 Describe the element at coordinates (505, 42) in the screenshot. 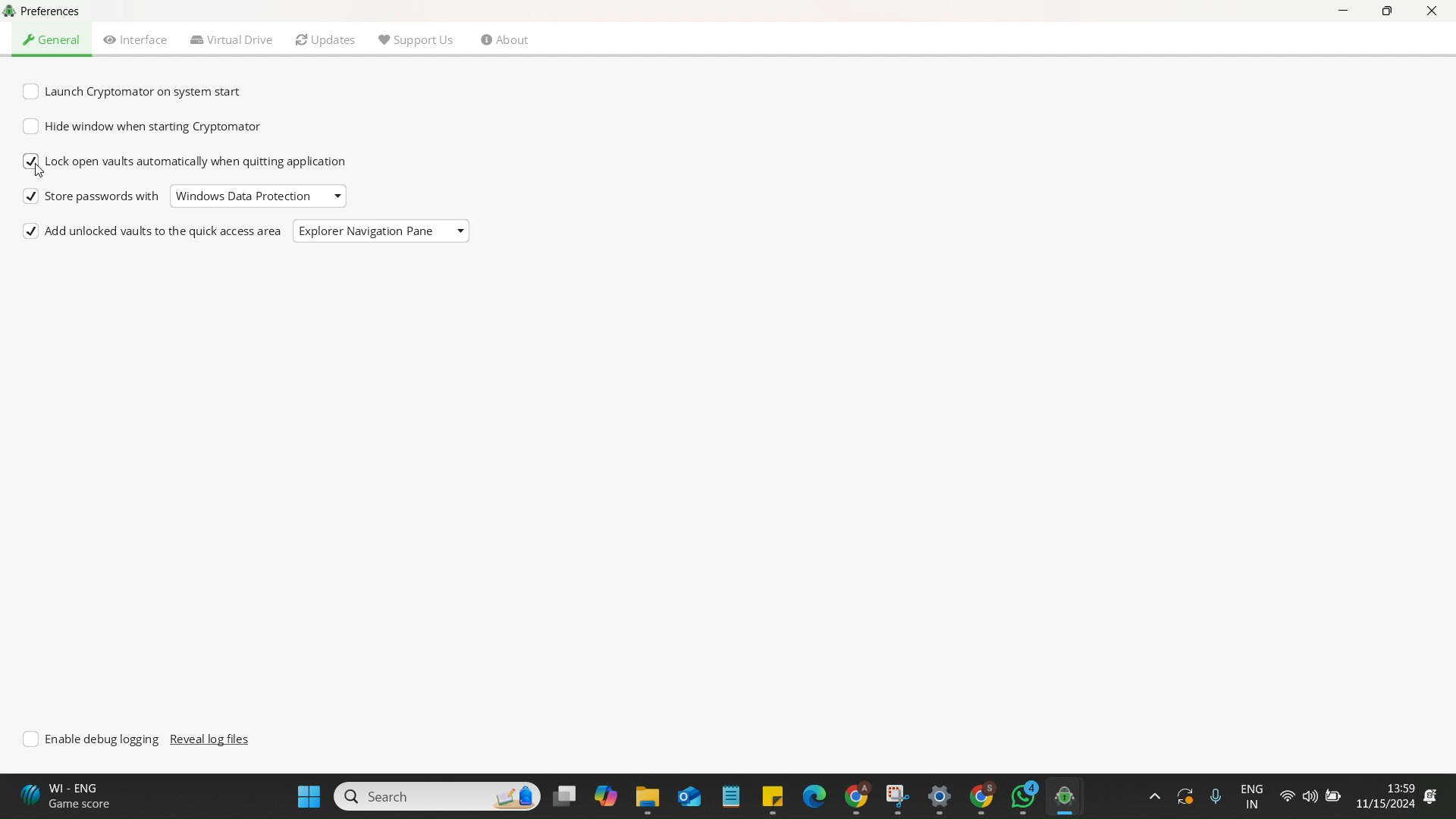

I see `About` at that location.